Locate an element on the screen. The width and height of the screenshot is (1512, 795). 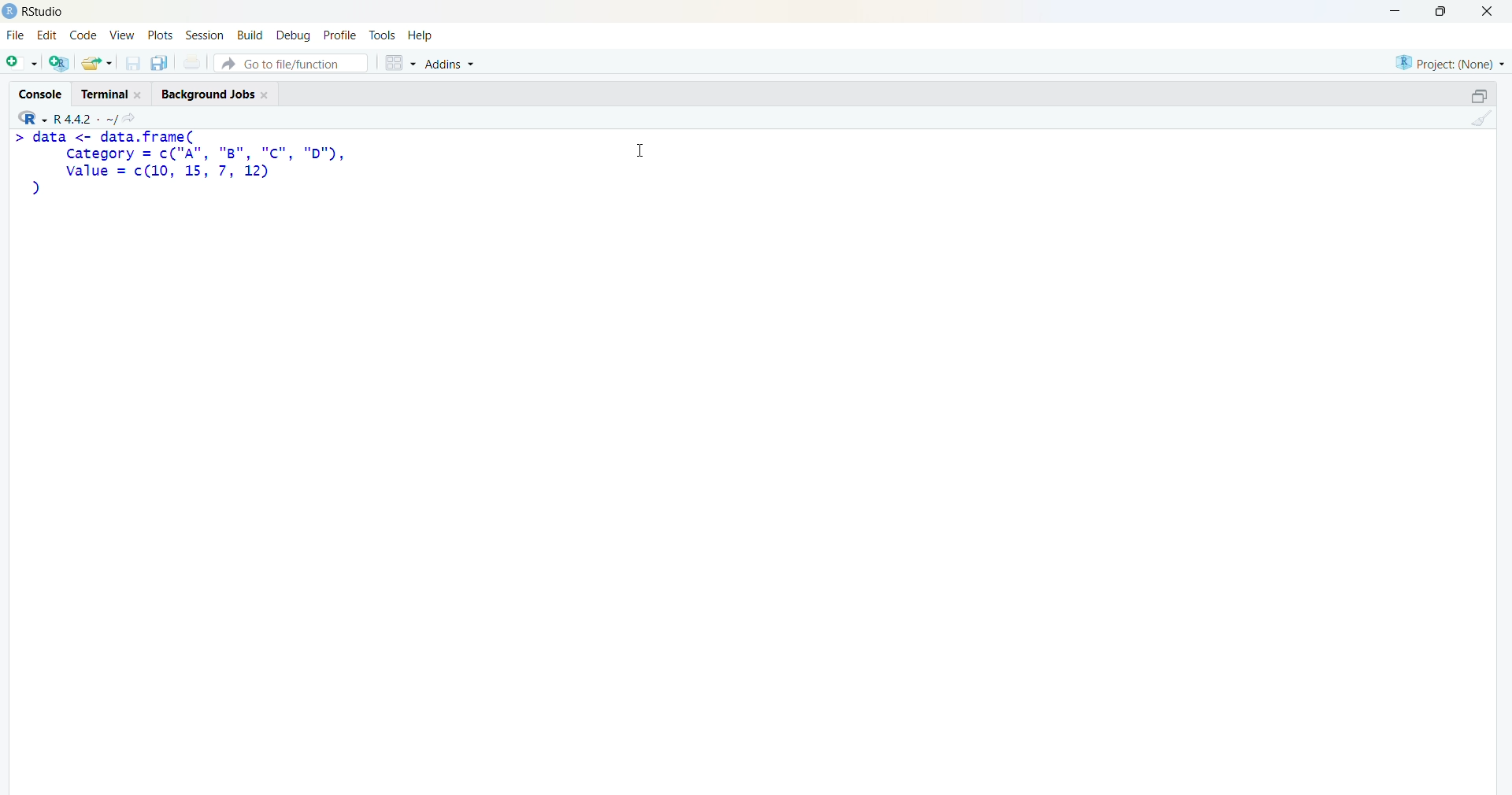
plots is located at coordinates (162, 35).